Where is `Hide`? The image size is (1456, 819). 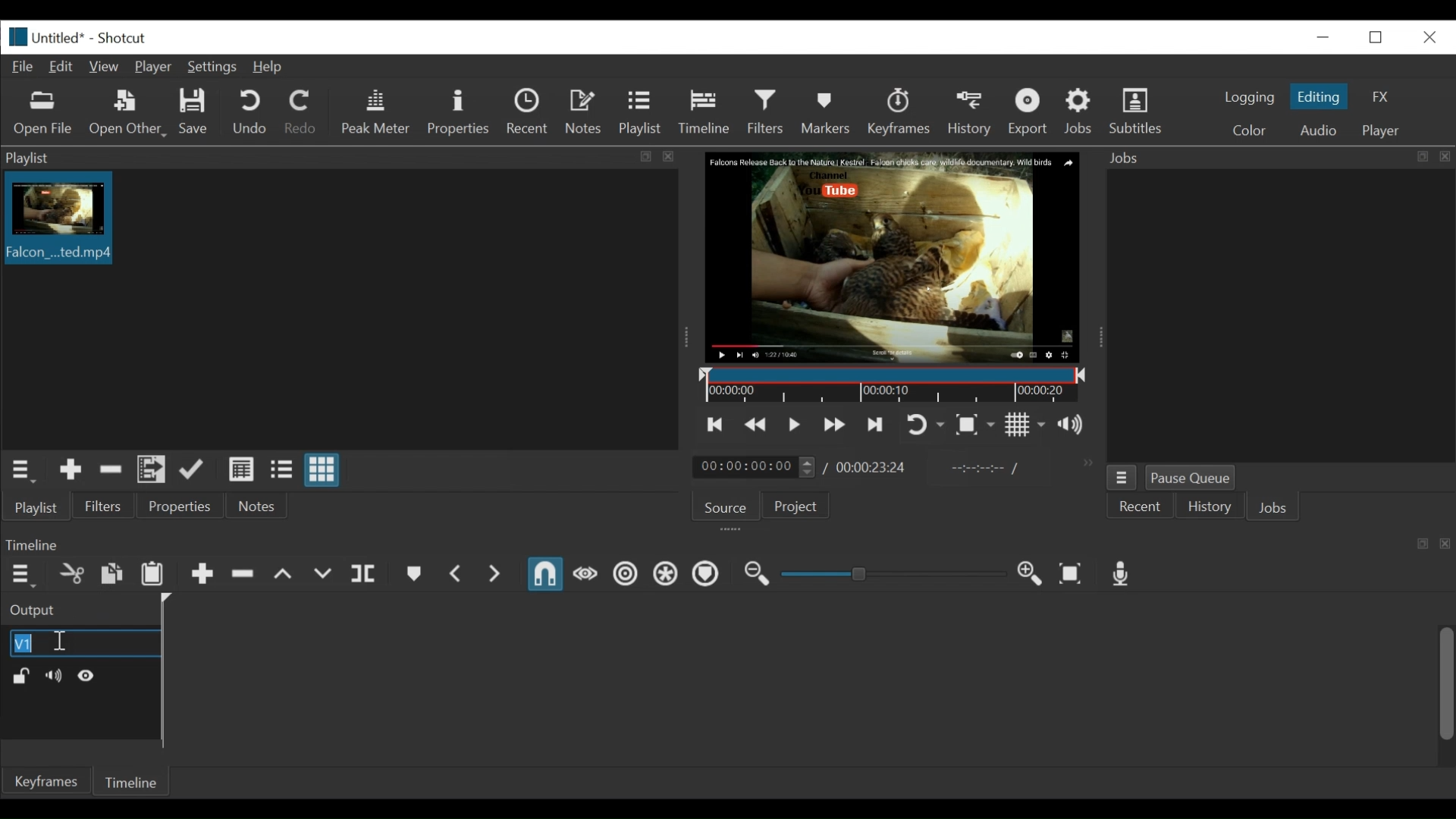
Hide is located at coordinates (88, 675).